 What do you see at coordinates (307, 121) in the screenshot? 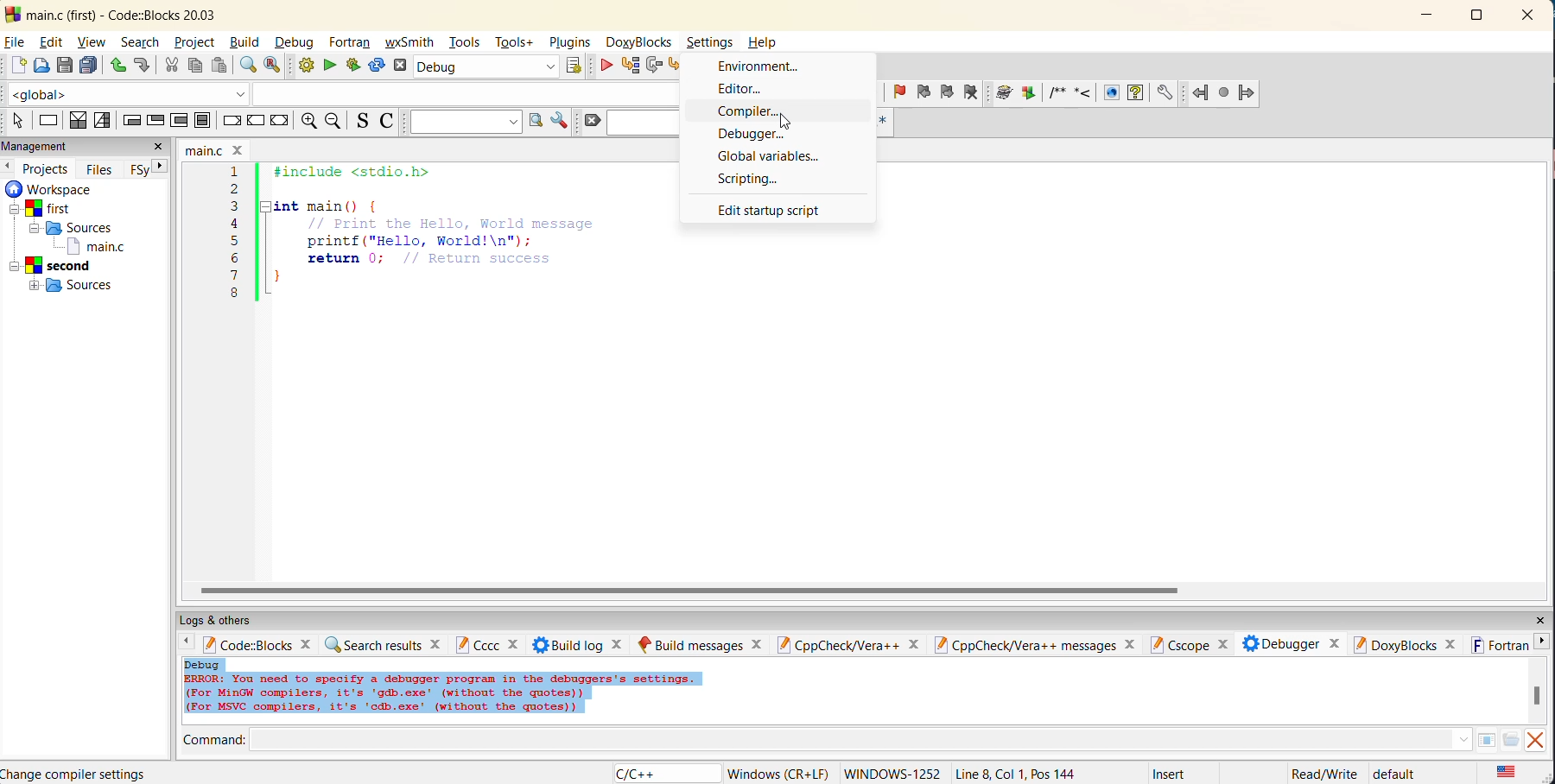
I see `zoom in` at bounding box center [307, 121].